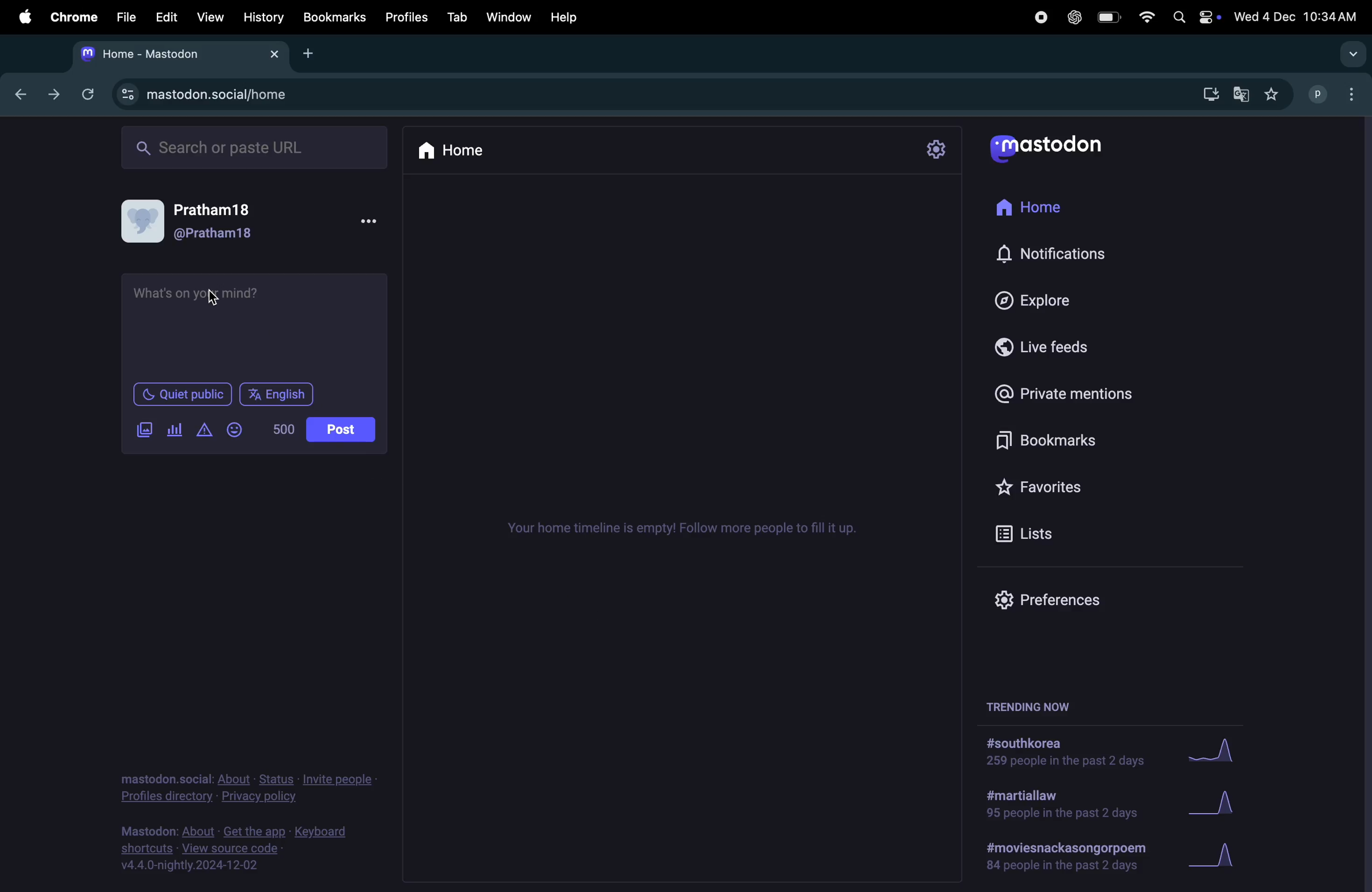 The image size is (1372, 892). Describe the element at coordinates (1080, 394) in the screenshot. I see `Private mentions` at that location.